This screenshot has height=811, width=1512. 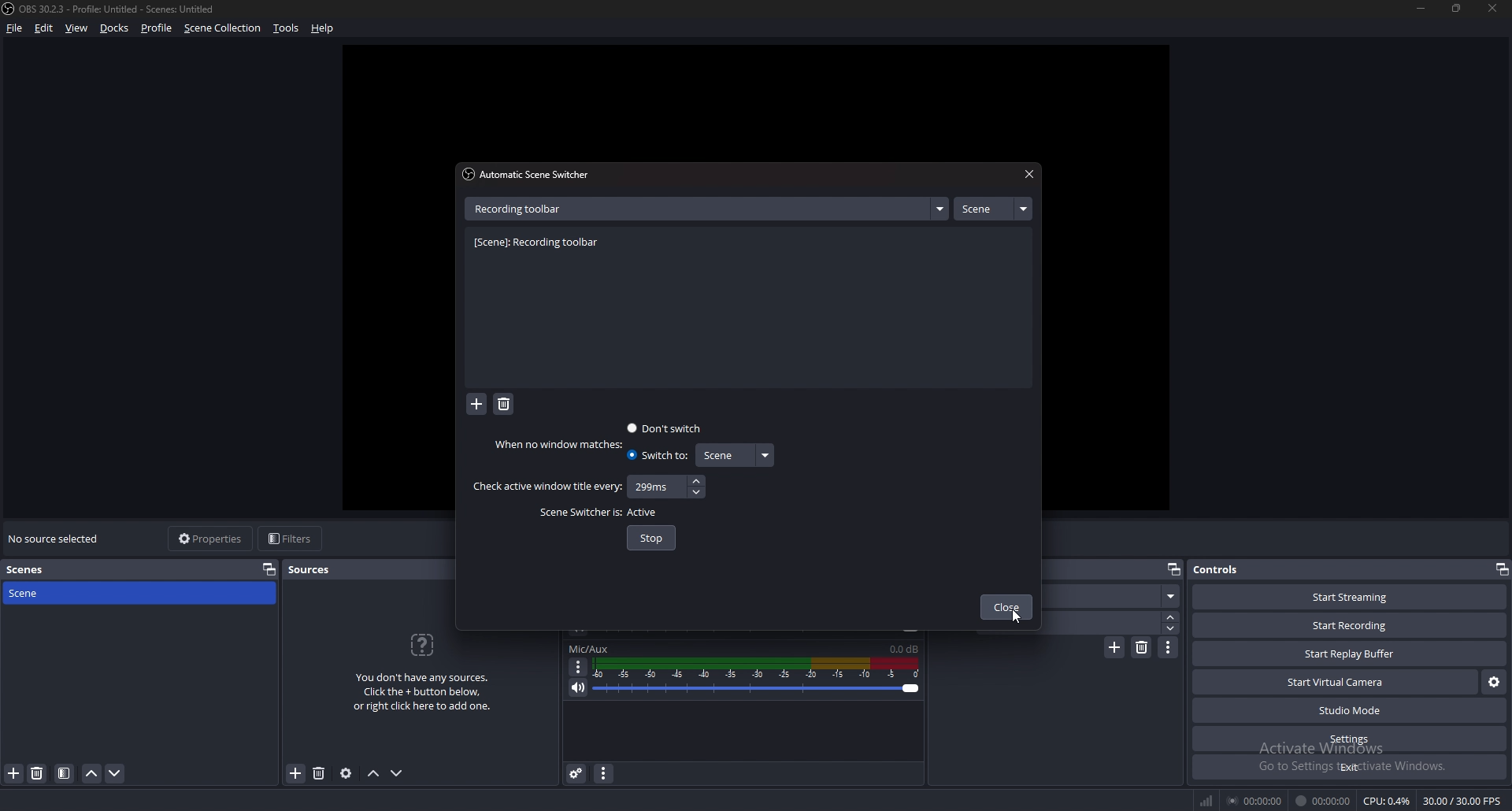 What do you see at coordinates (1256, 800) in the screenshot?
I see `stream duration` at bounding box center [1256, 800].